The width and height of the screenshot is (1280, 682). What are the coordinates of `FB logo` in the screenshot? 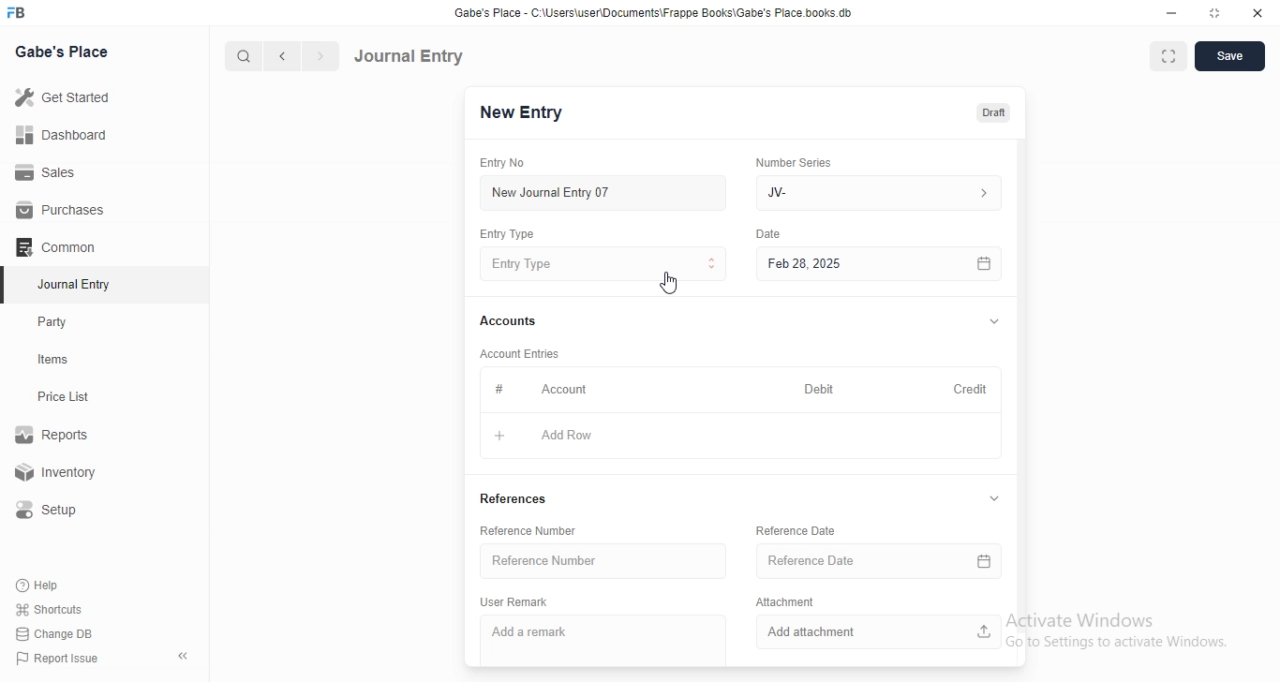 It's located at (13, 13).